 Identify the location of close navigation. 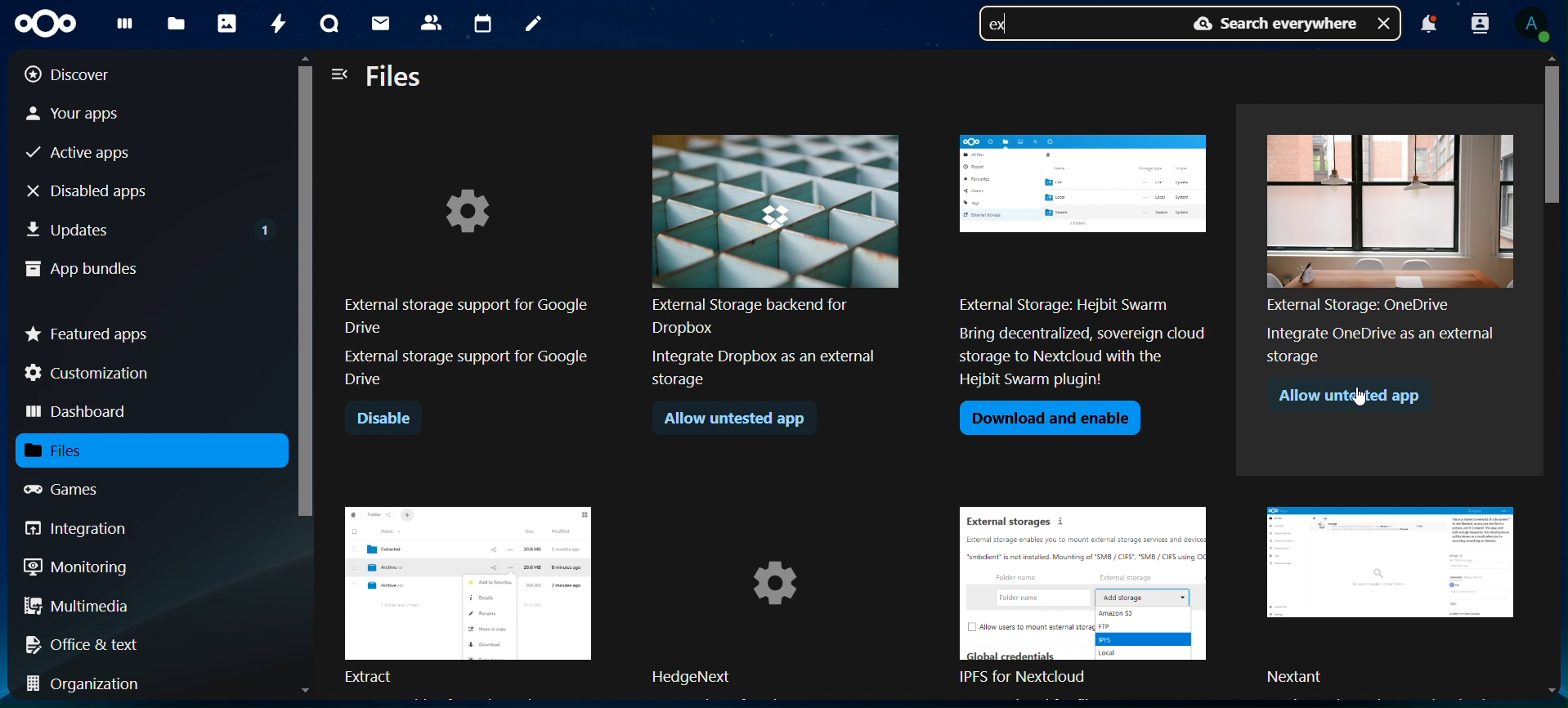
(340, 73).